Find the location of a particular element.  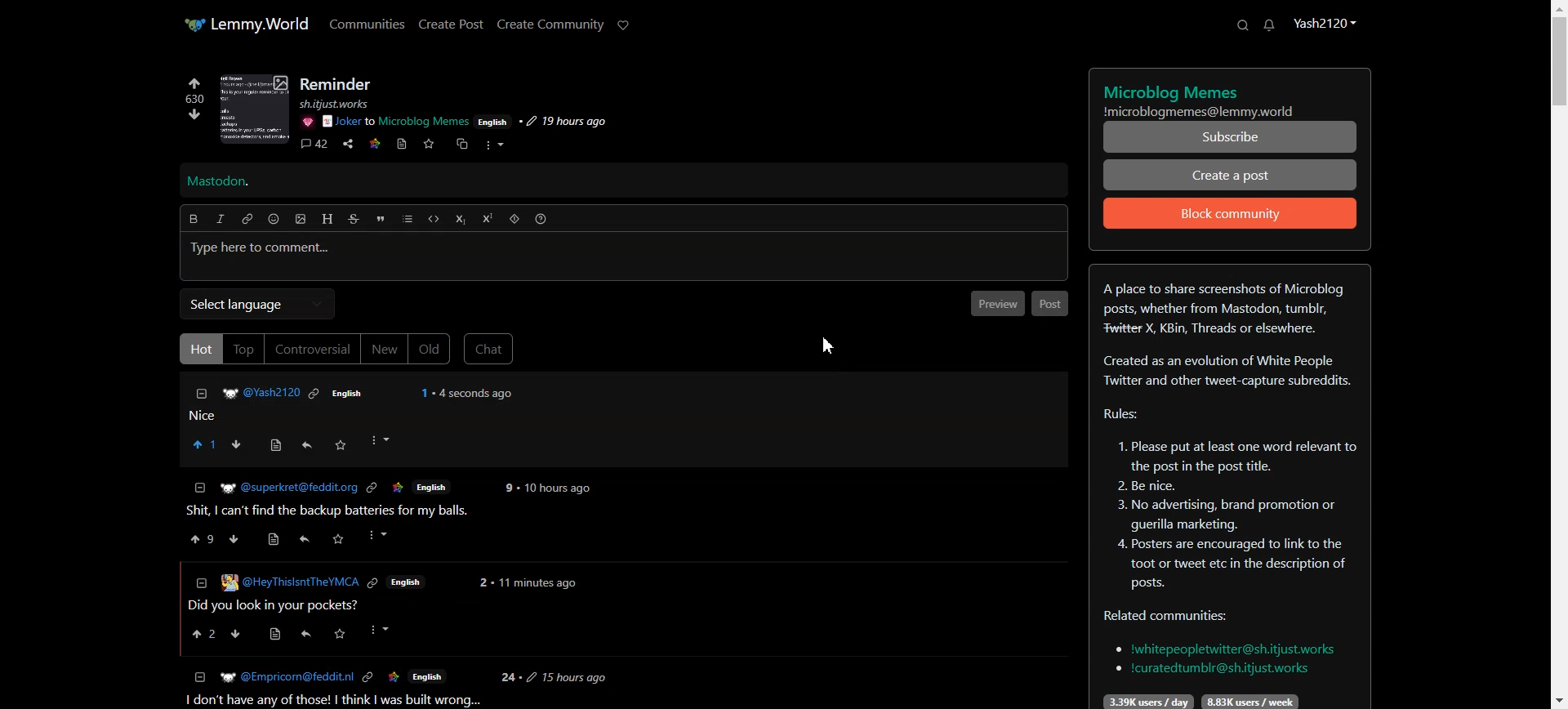

Upvote is located at coordinates (194, 91).